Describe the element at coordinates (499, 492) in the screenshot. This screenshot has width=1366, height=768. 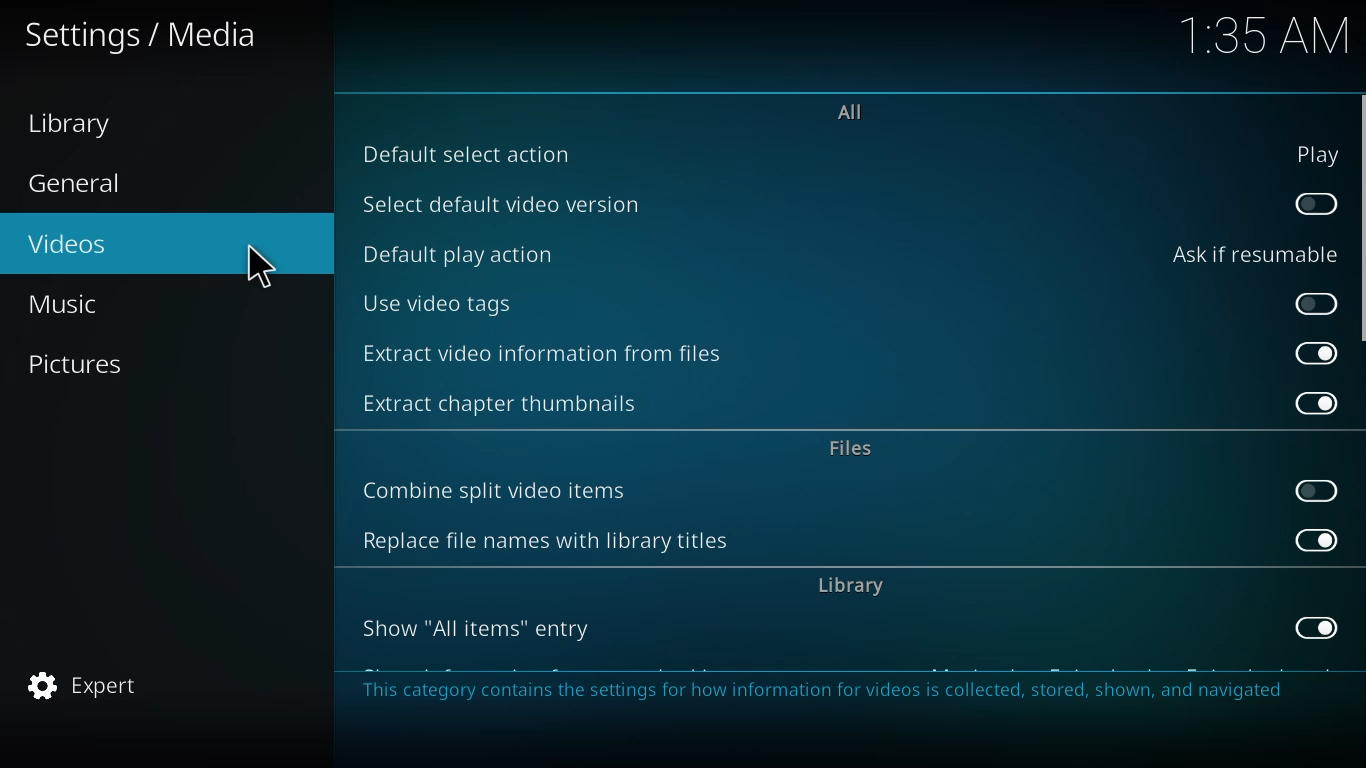
I see `combine split video items` at that location.